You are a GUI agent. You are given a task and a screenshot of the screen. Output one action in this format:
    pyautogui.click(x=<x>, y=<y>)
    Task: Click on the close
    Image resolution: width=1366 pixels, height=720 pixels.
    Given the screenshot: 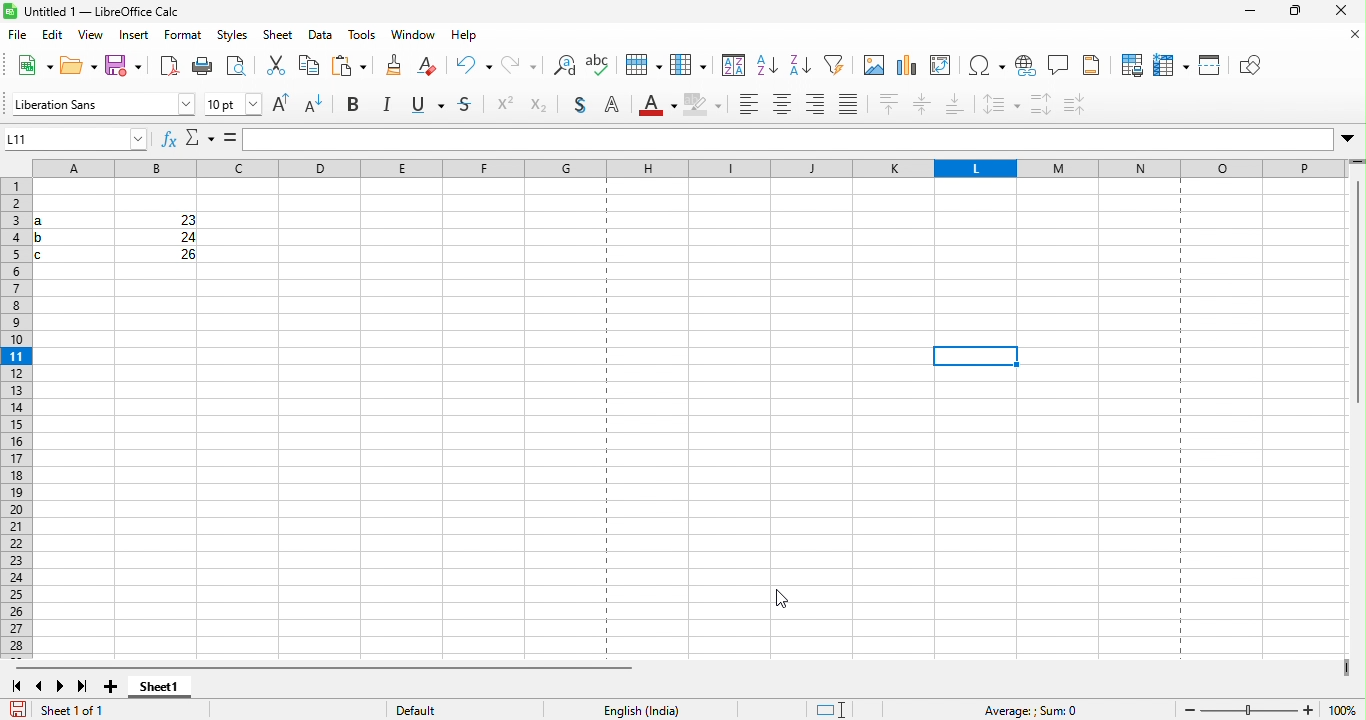 What is the action you would take?
    pyautogui.click(x=1348, y=35)
    